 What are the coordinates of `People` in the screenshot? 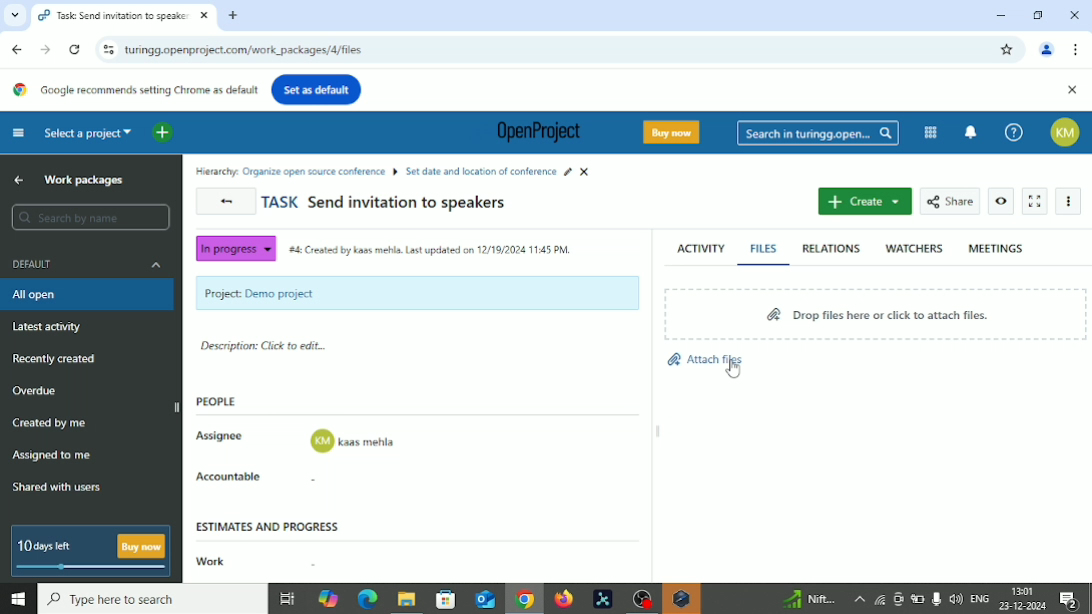 It's located at (223, 403).